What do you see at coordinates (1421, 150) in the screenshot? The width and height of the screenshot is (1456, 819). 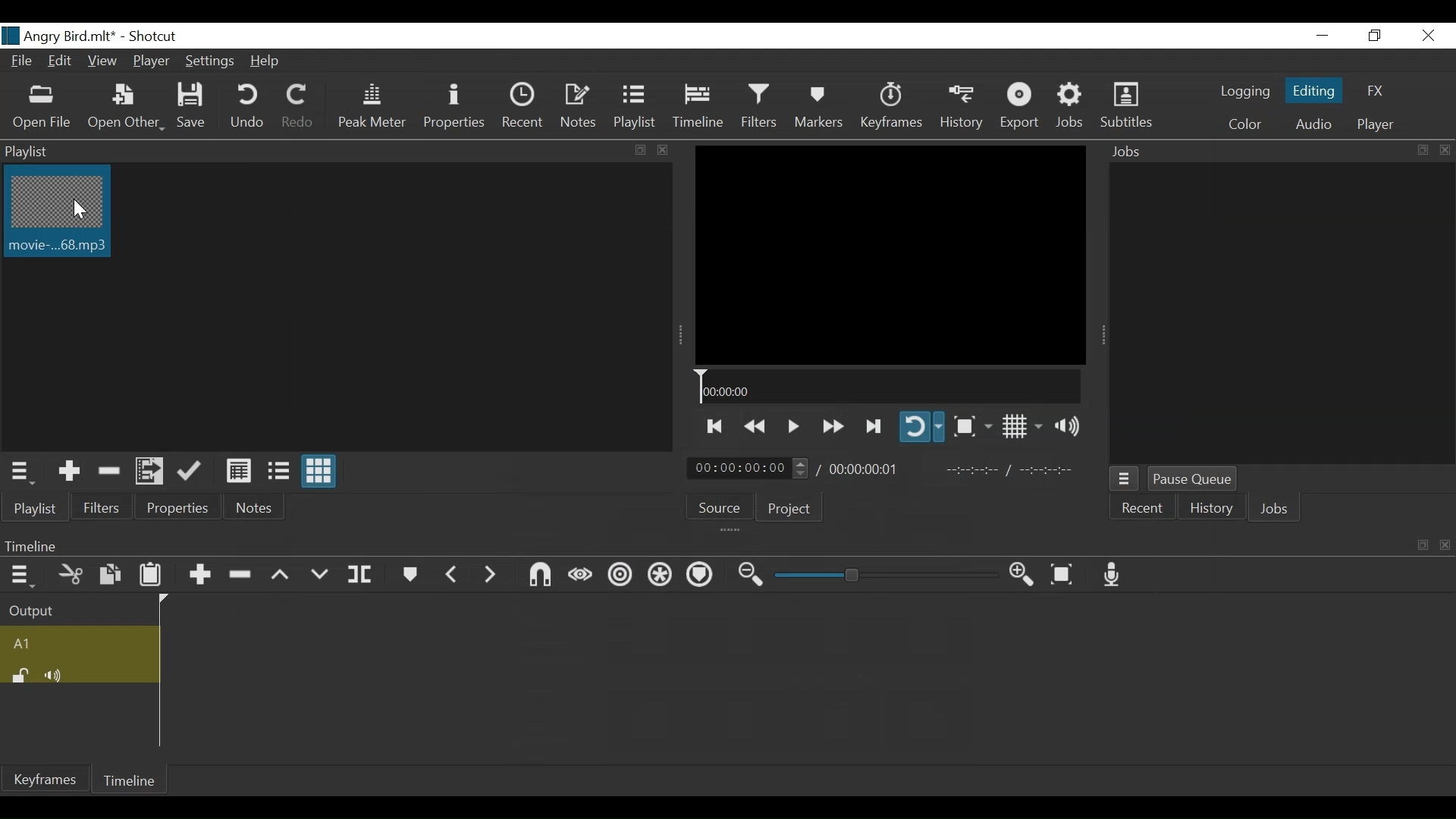 I see `resize` at bounding box center [1421, 150].